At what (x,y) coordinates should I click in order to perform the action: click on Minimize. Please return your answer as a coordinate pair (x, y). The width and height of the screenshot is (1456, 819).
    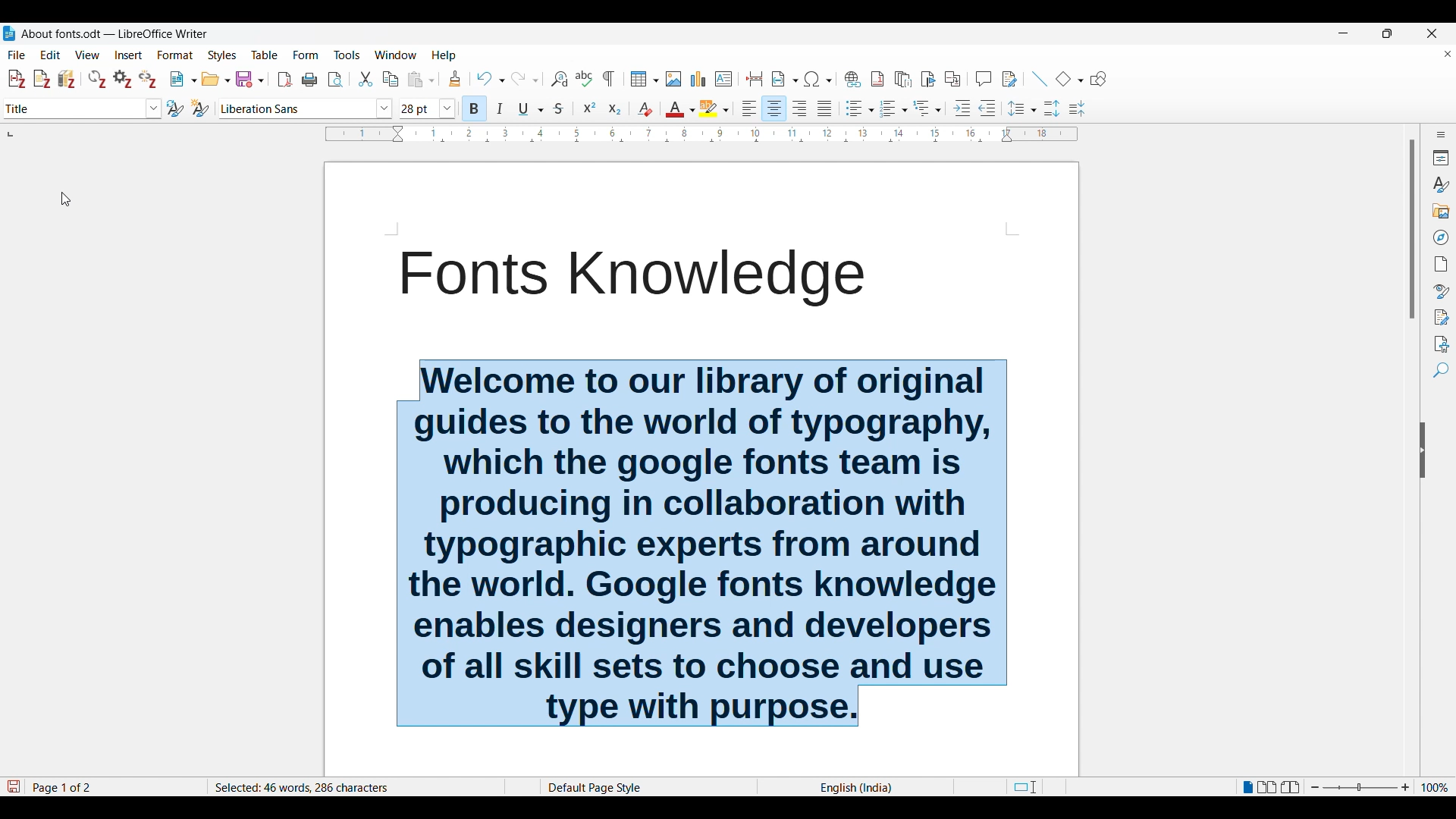
    Looking at the image, I should click on (1343, 33).